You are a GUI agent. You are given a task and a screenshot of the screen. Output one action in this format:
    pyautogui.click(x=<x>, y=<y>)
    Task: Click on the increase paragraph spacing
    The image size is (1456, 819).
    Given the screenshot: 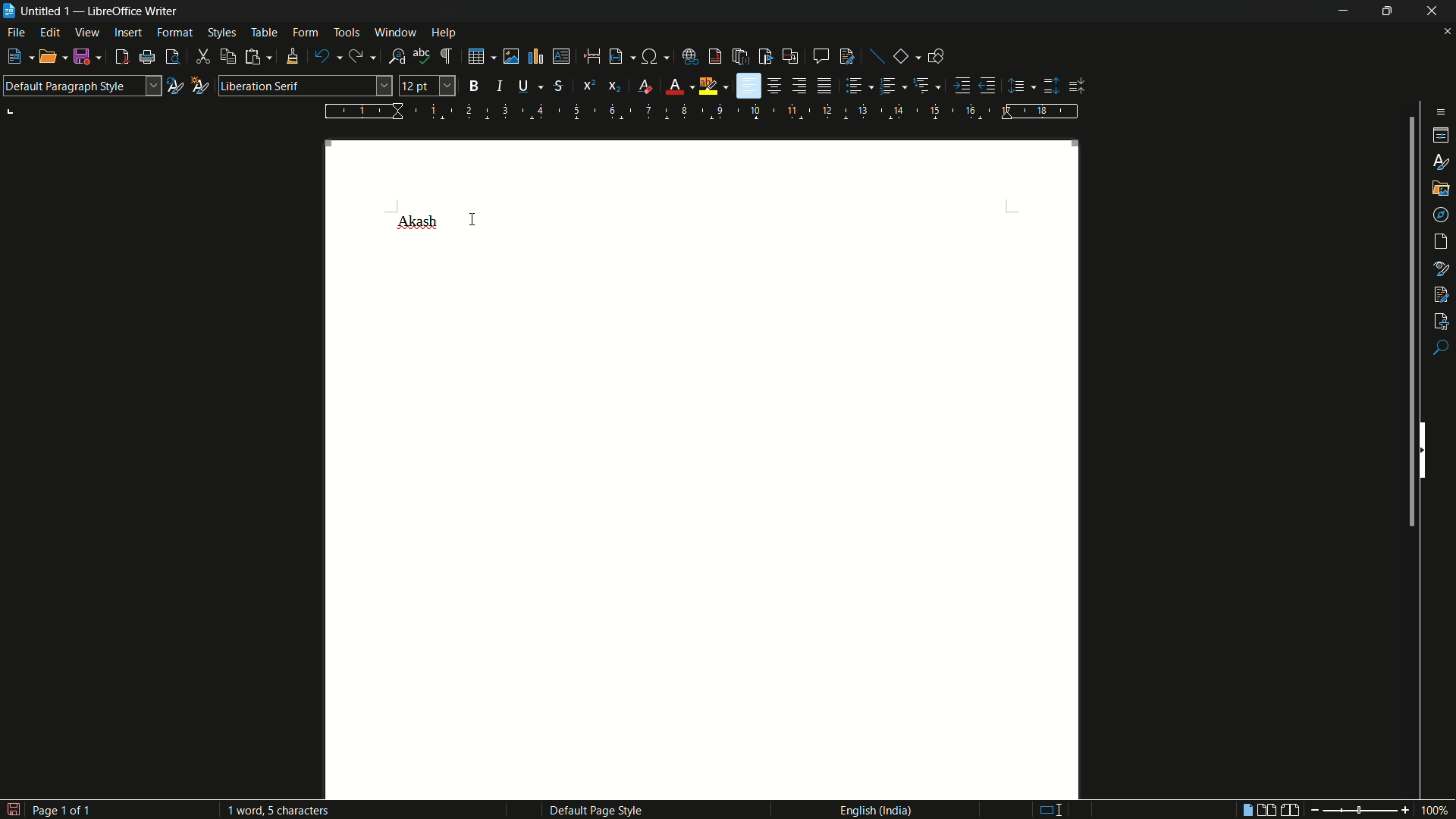 What is the action you would take?
    pyautogui.click(x=1052, y=86)
    